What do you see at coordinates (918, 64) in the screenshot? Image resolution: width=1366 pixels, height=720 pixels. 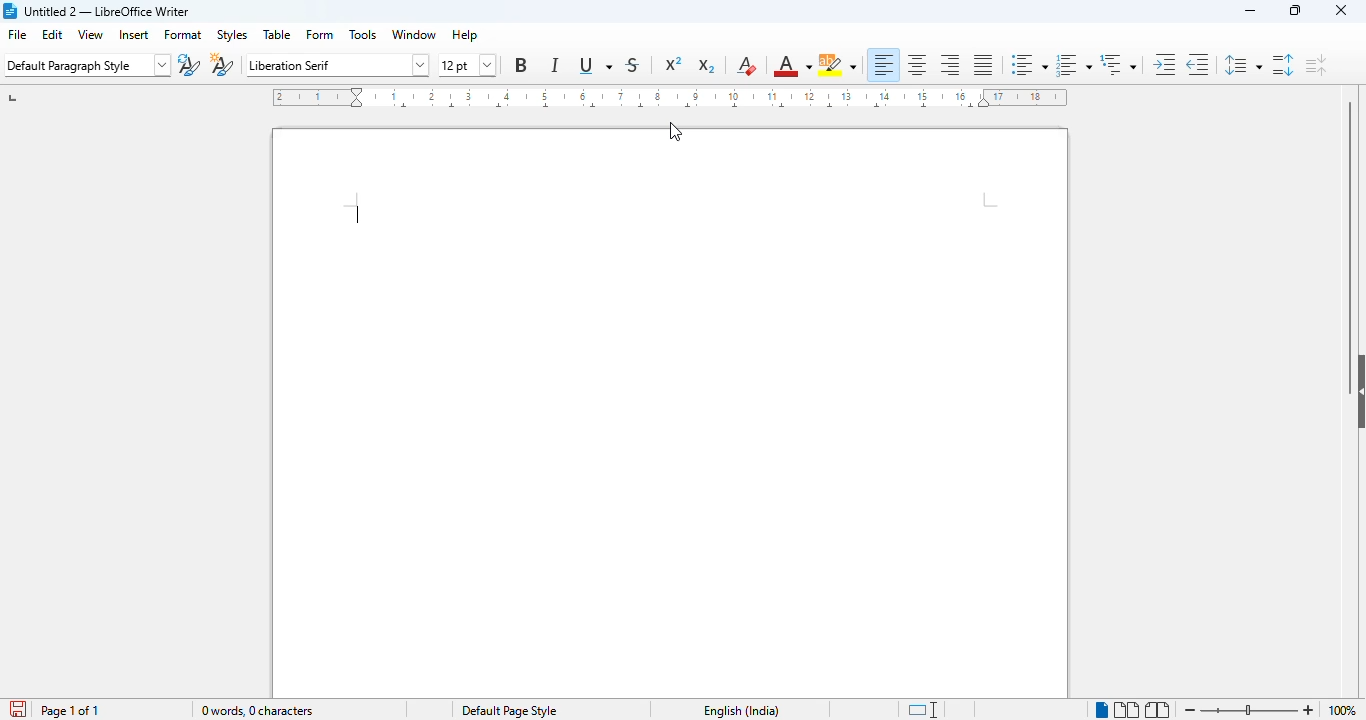 I see `align center` at bounding box center [918, 64].